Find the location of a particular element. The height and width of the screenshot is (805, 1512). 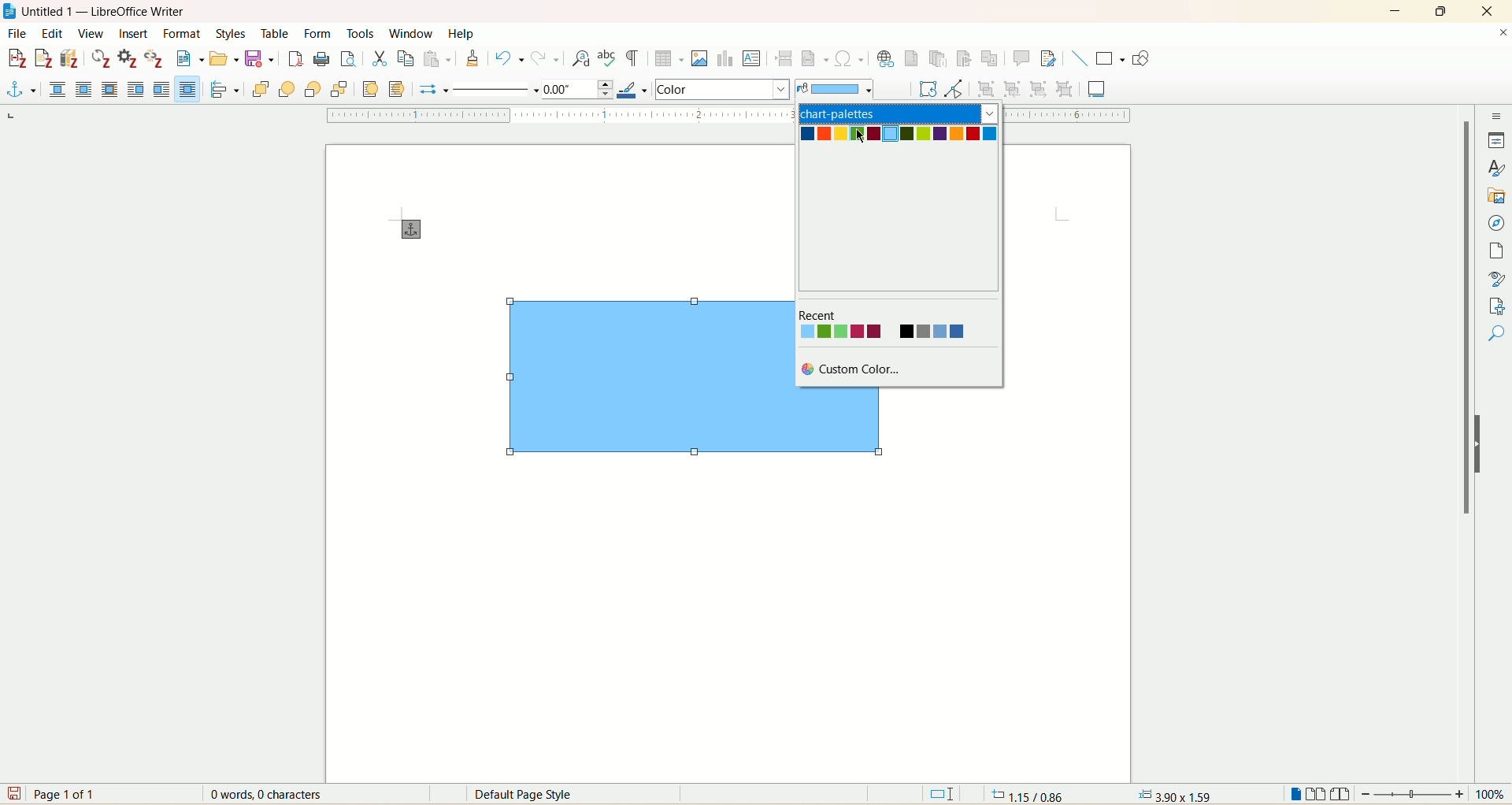

basic shapes is located at coordinates (1110, 59).